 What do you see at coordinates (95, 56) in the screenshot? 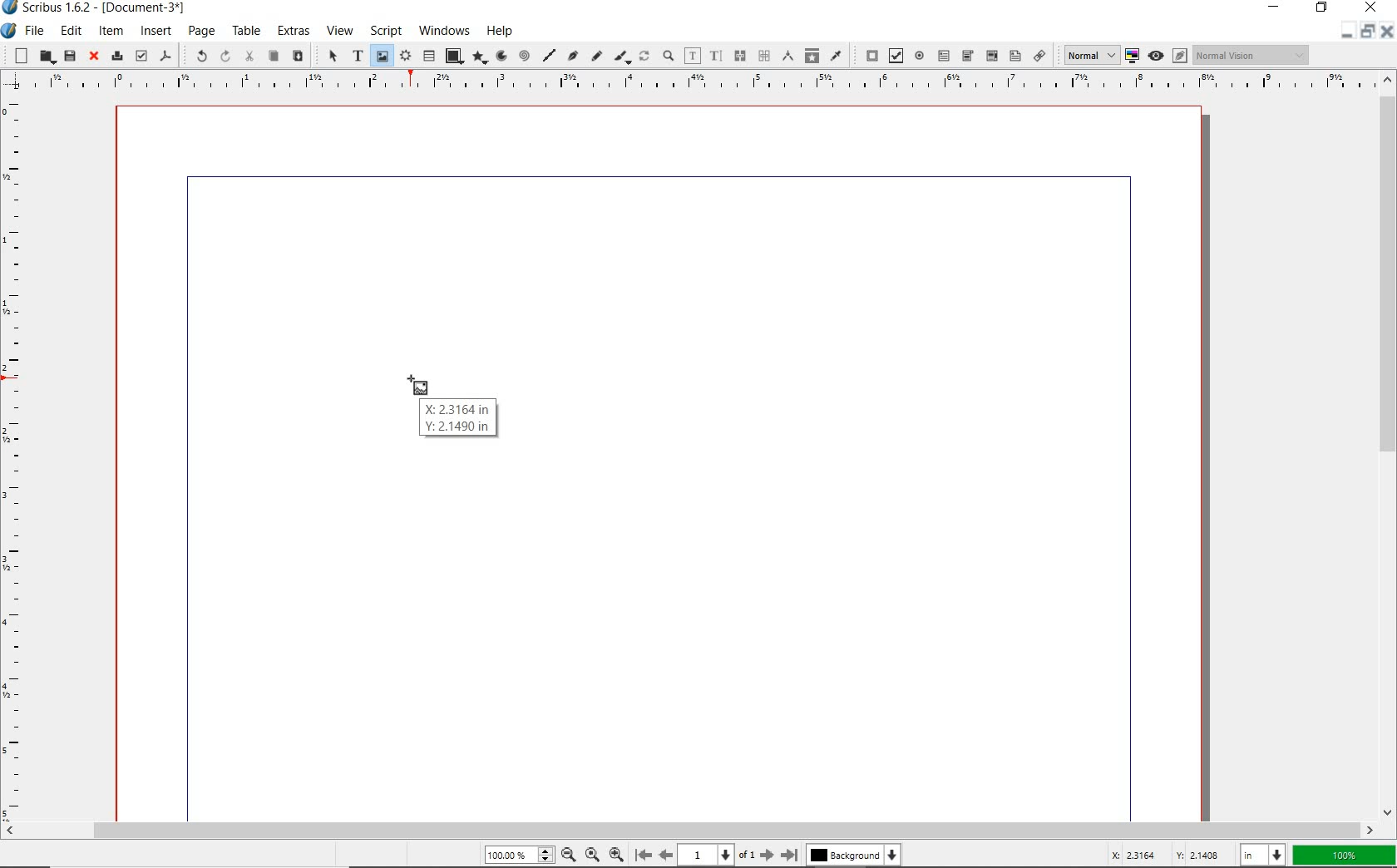
I see `close` at bounding box center [95, 56].